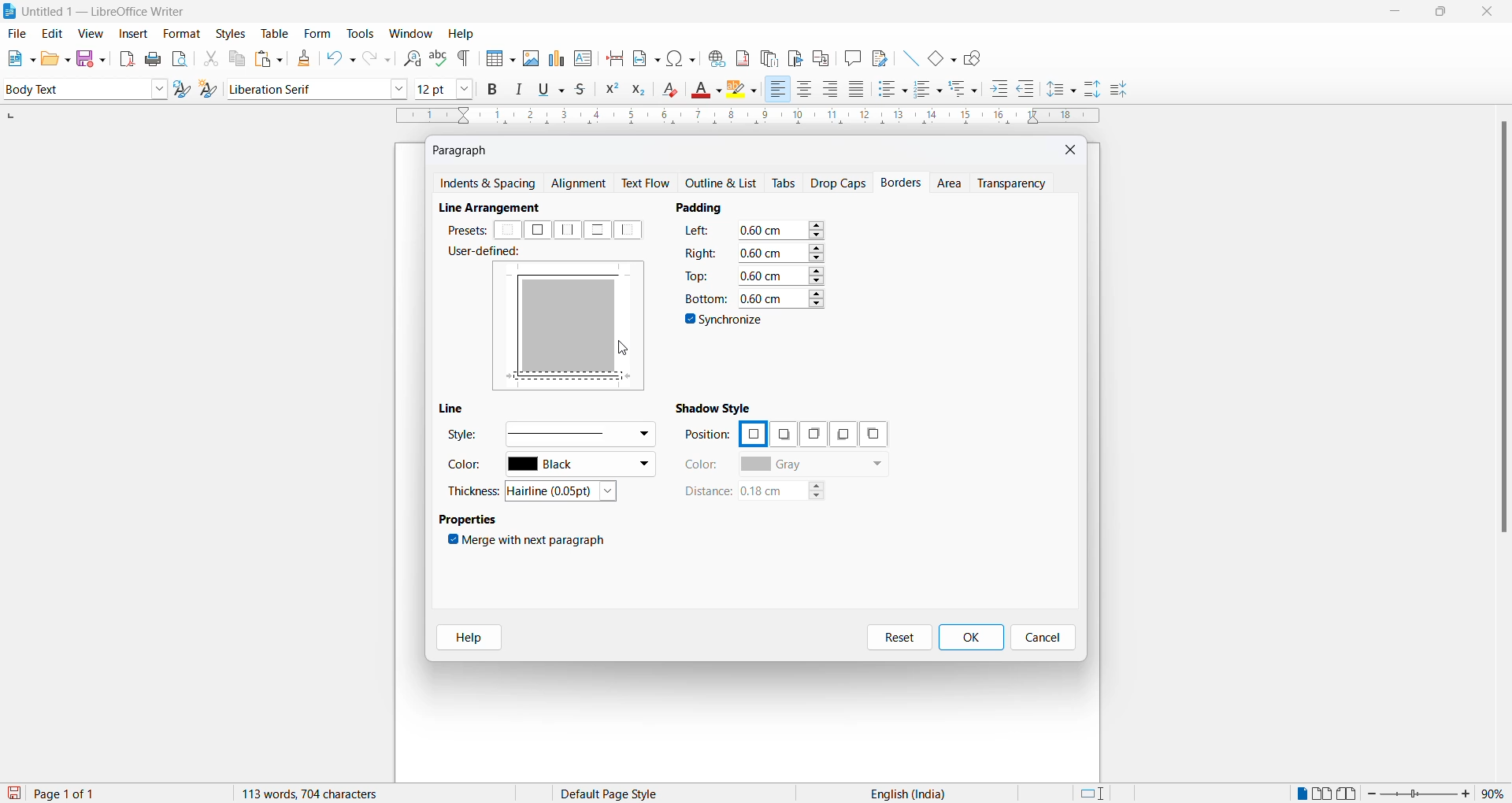 Image resolution: width=1512 pixels, height=803 pixels. Describe the element at coordinates (159, 90) in the screenshot. I see `styling dropdown button` at that location.